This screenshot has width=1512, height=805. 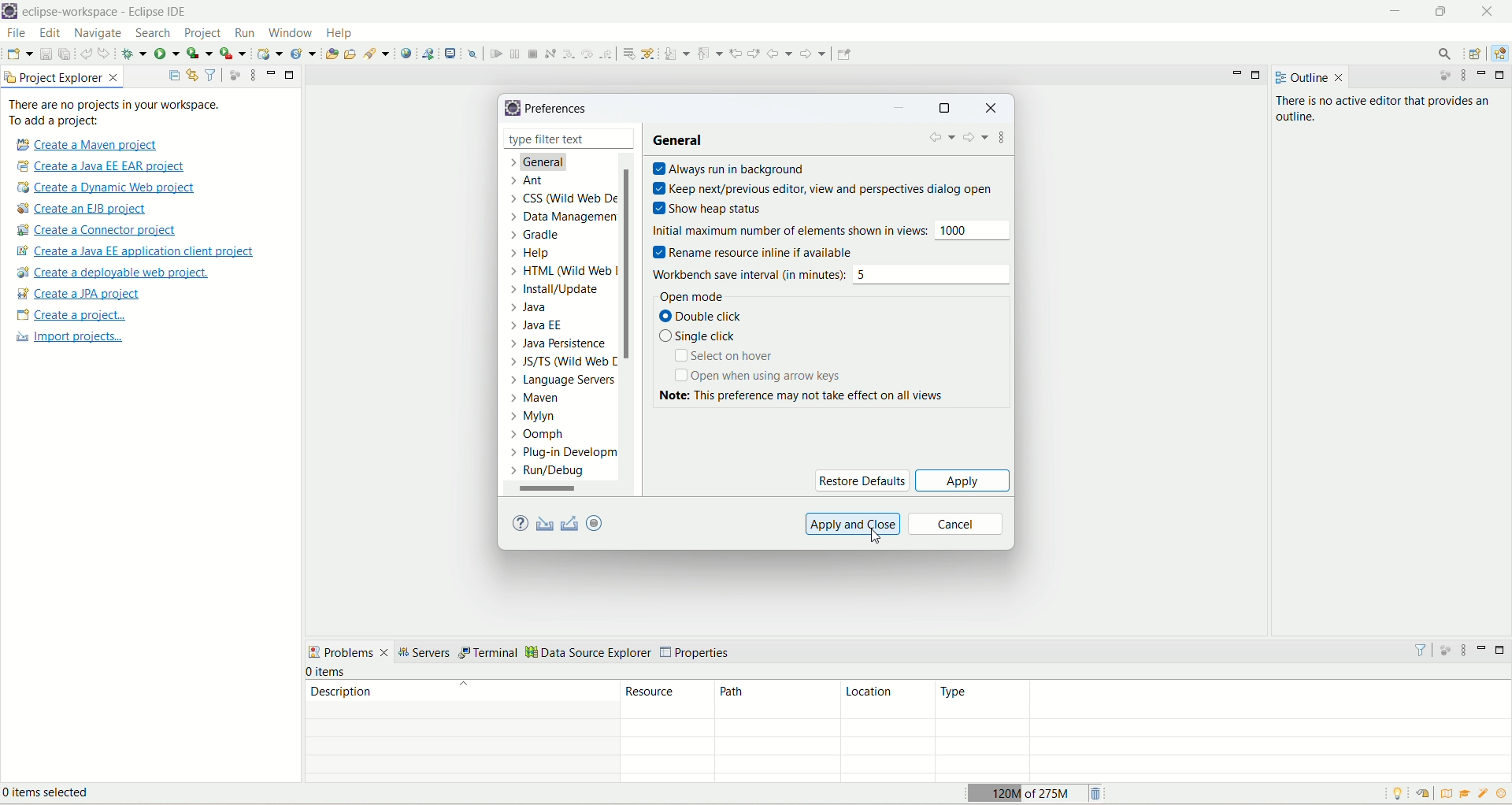 What do you see at coordinates (290, 32) in the screenshot?
I see `window` at bounding box center [290, 32].